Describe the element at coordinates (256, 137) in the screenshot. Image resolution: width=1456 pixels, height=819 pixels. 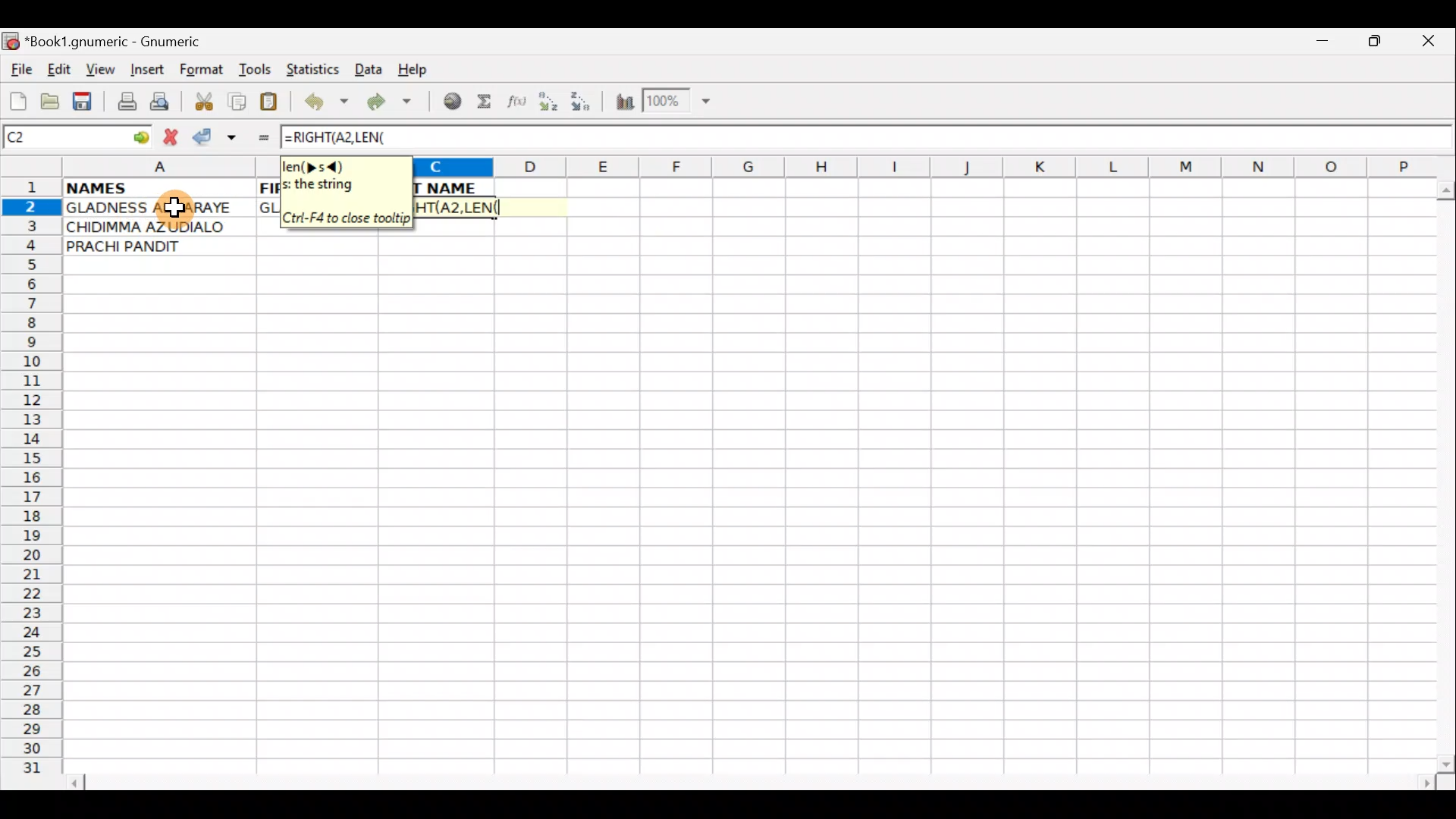
I see `Enter formula` at that location.